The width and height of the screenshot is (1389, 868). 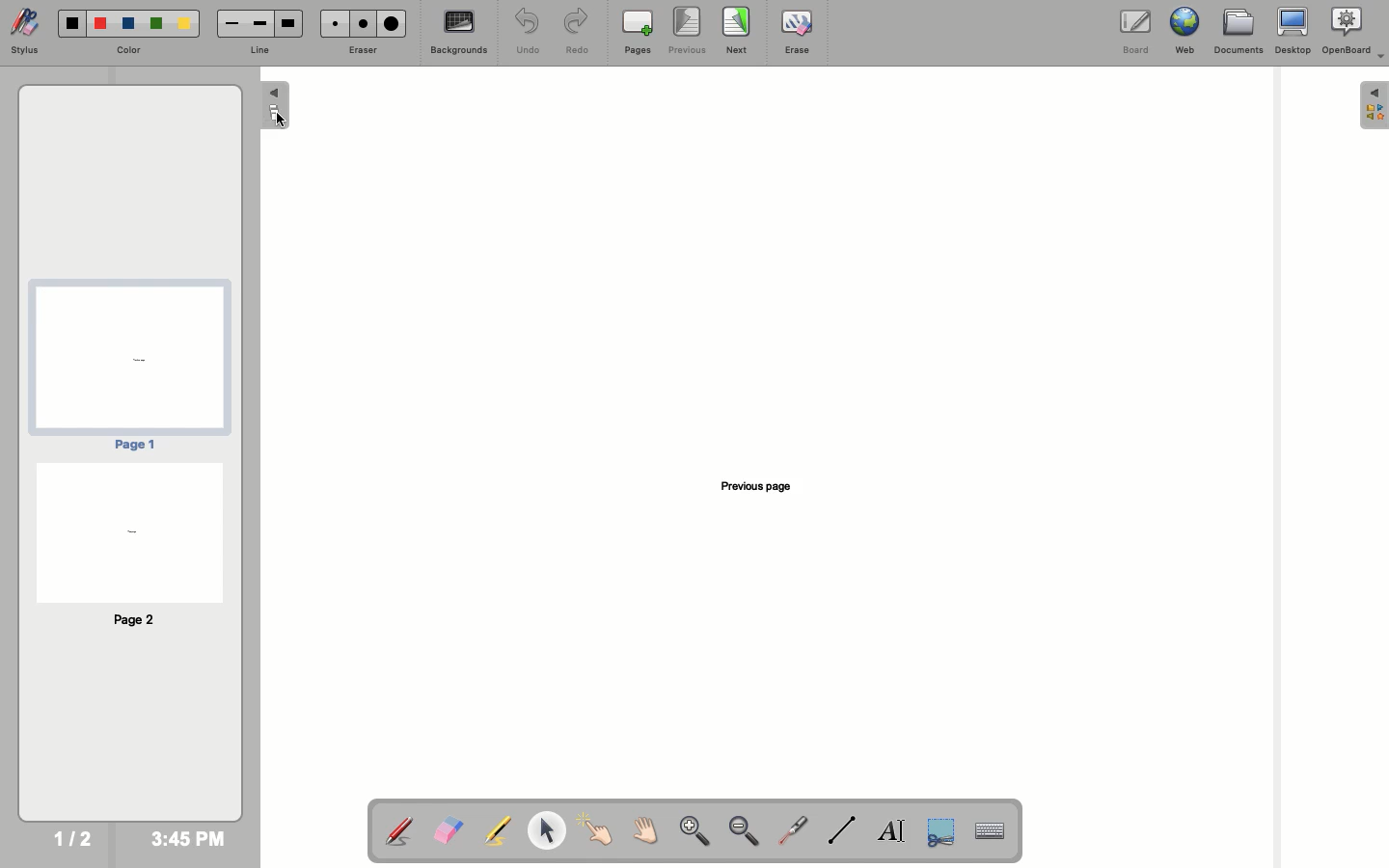 What do you see at coordinates (71, 838) in the screenshot?
I see `1/2` at bounding box center [71, 838].